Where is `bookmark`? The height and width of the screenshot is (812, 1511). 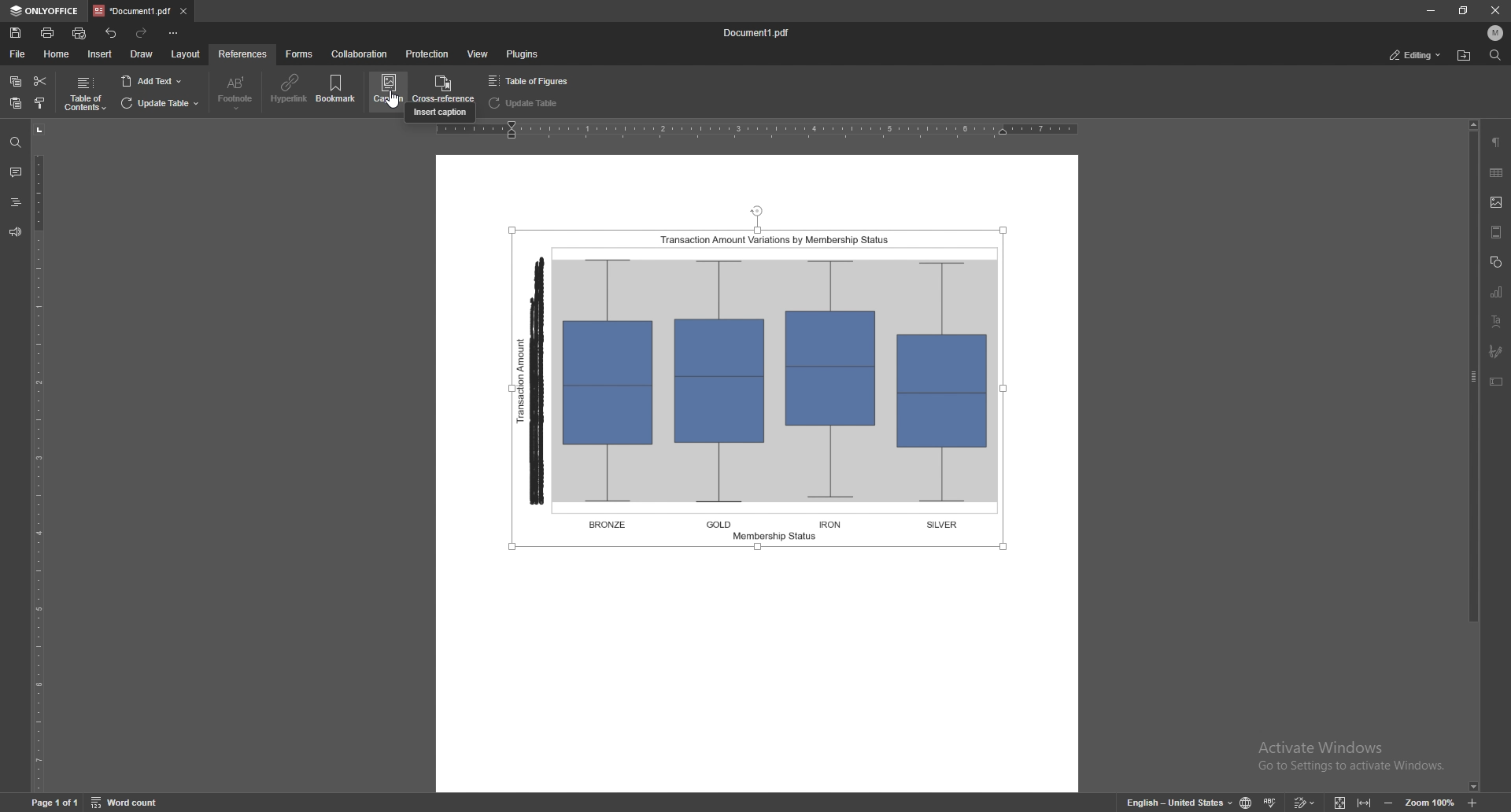
bookmark is located at coordinates (338, 90).